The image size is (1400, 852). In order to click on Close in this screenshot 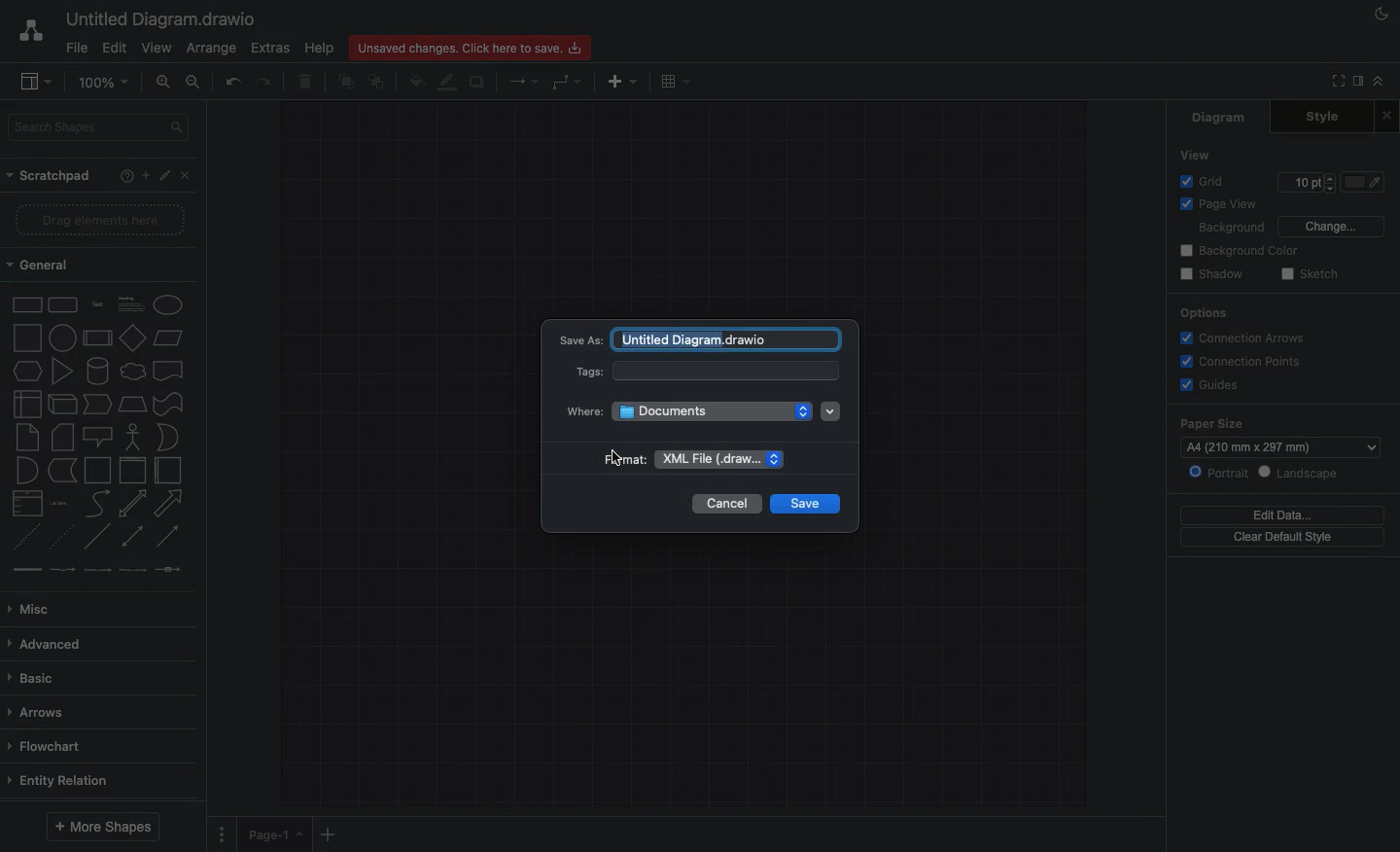, I will do `click(187, 175)`.